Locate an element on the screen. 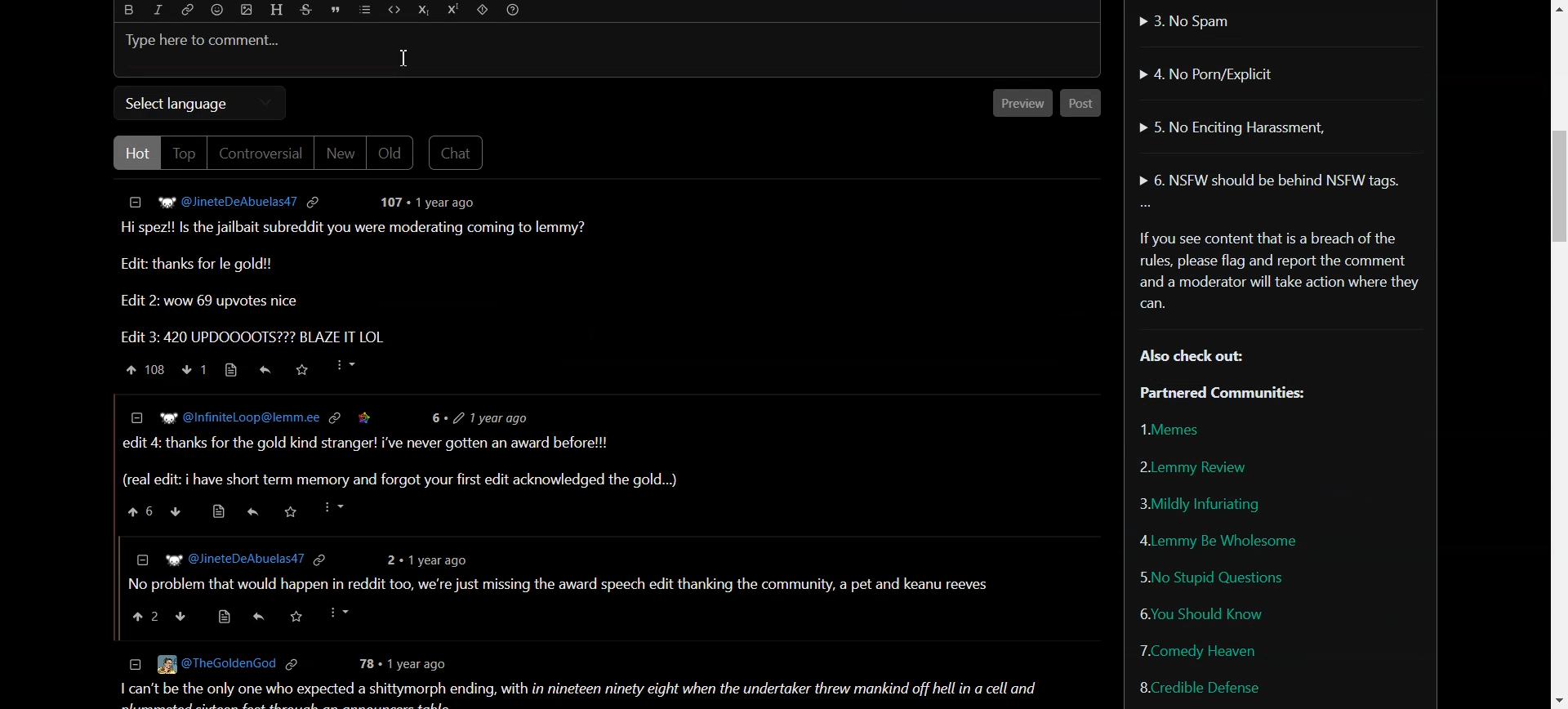 The height and width of the screenshot is (709, 1568). 2 + 1year ago is located at coordinates (431, 560).